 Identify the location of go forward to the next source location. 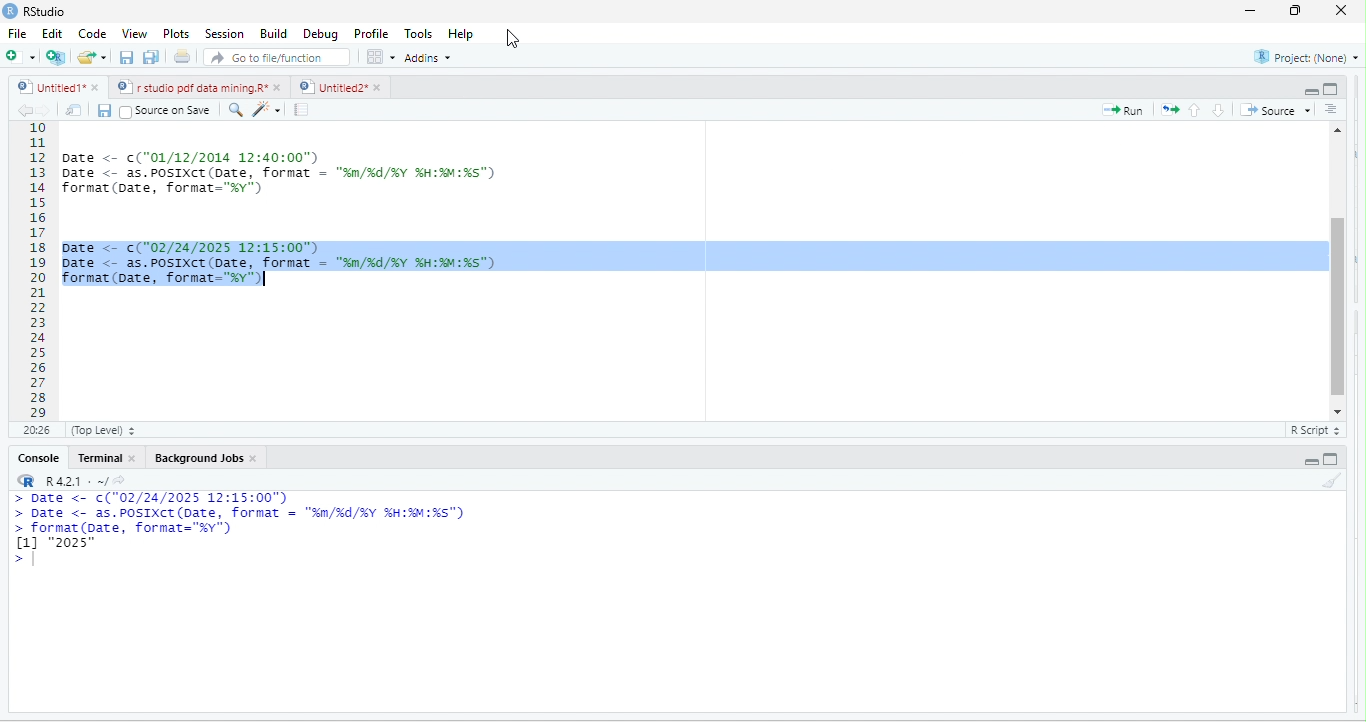
(47, 111).